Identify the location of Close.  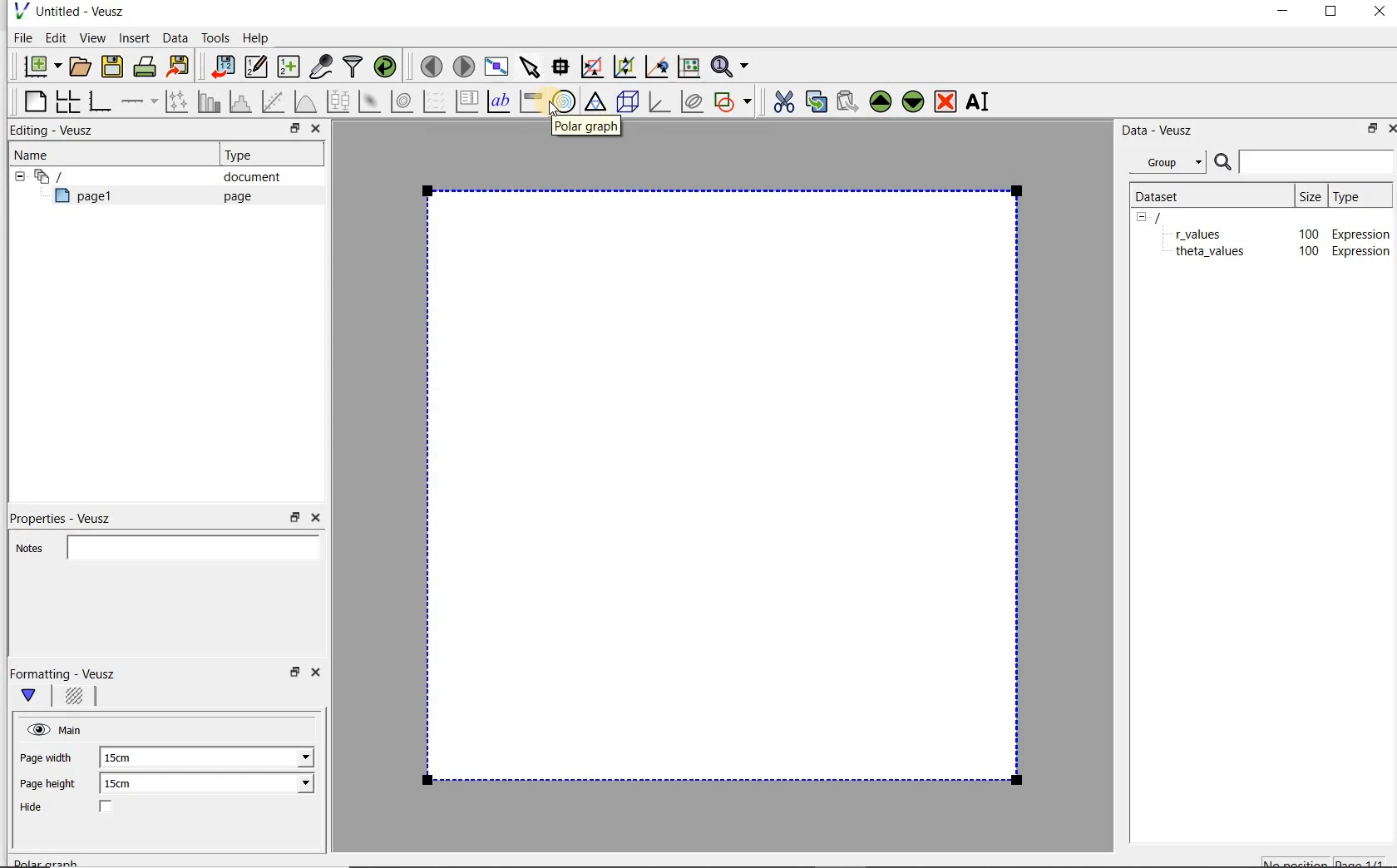
(314, 518).